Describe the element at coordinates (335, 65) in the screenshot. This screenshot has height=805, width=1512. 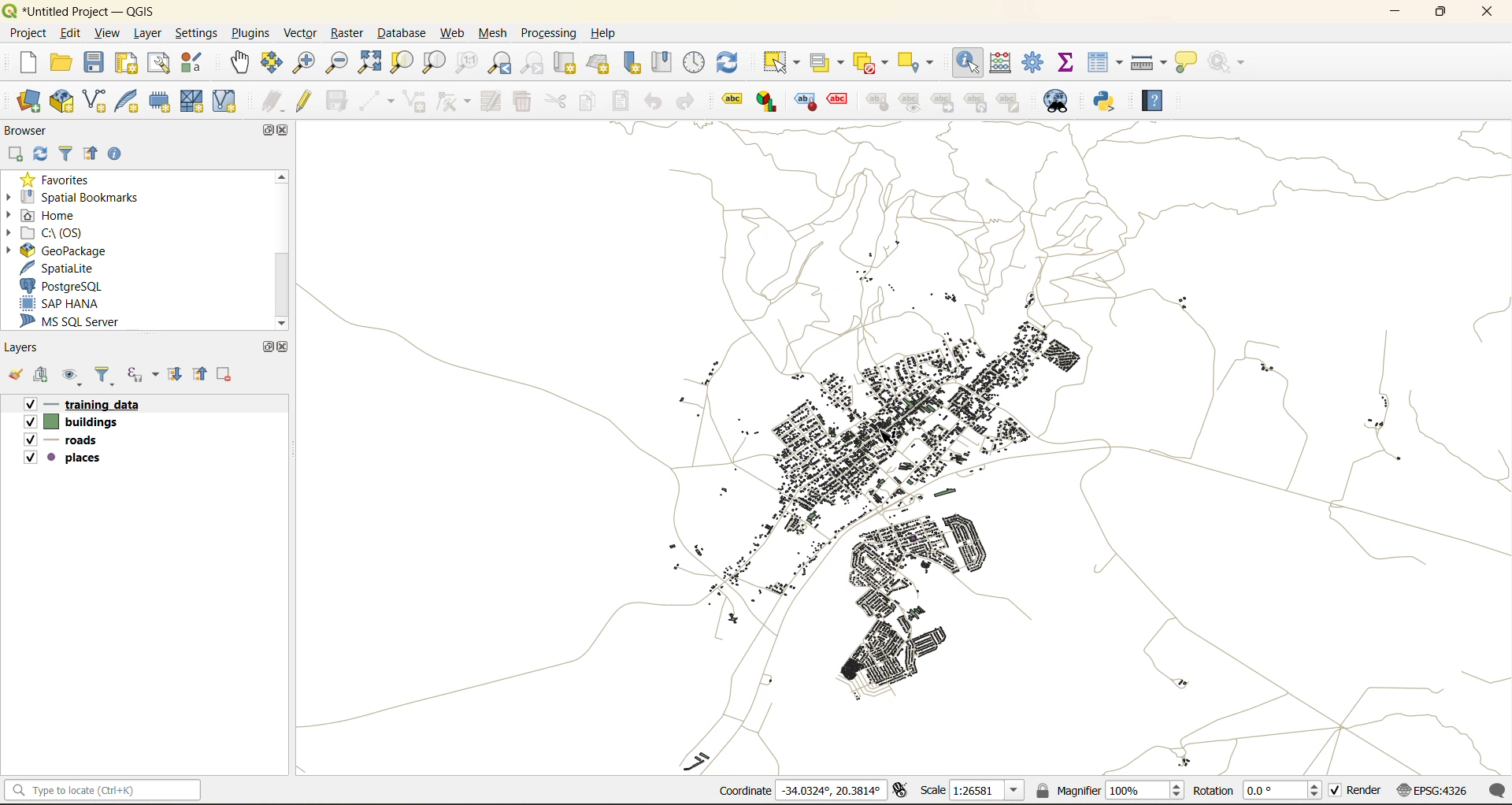
I see `zoom out` at that location.